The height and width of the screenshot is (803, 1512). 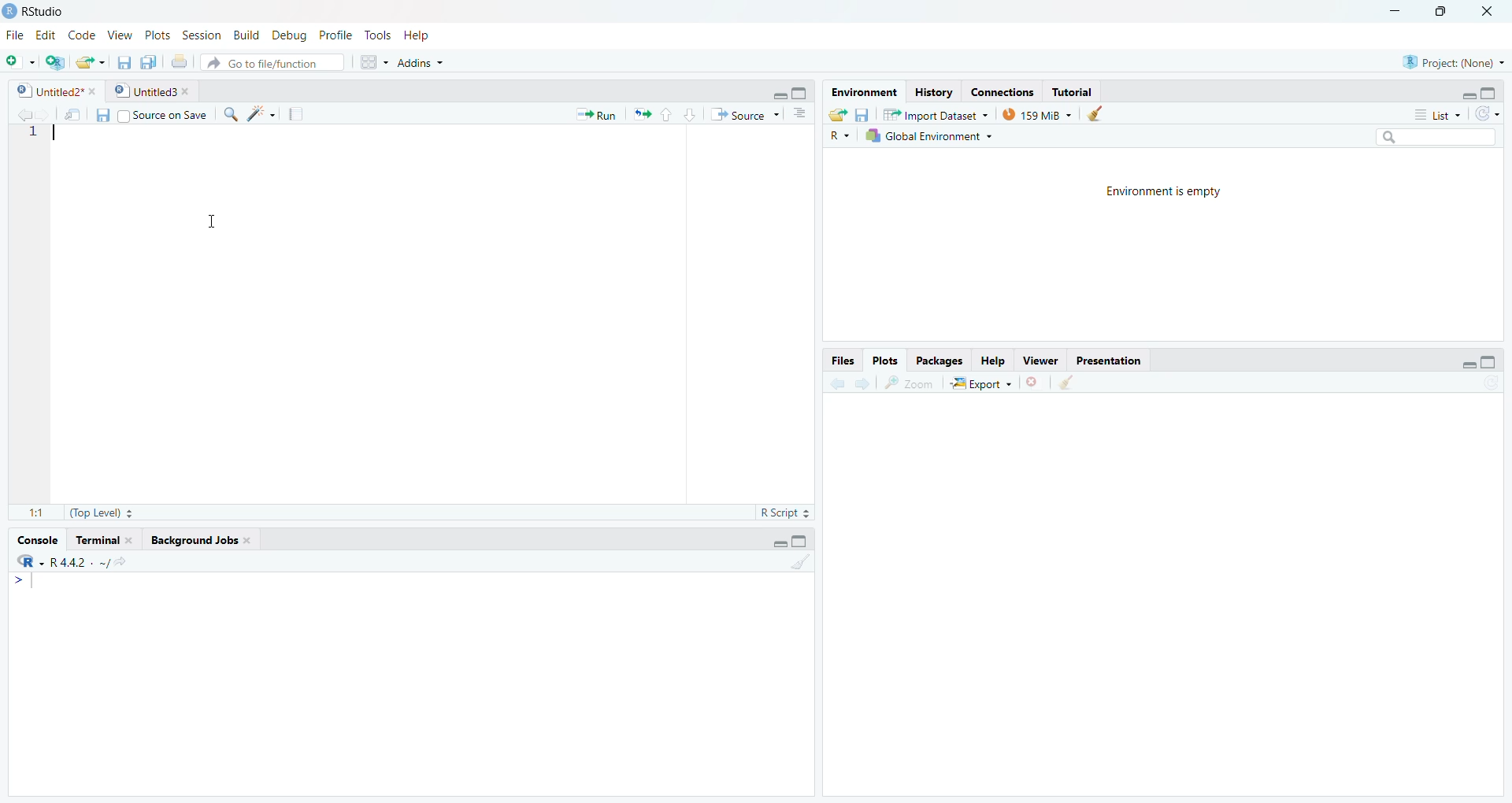 I want to click on Open in new window, so click(x=74, y=114).